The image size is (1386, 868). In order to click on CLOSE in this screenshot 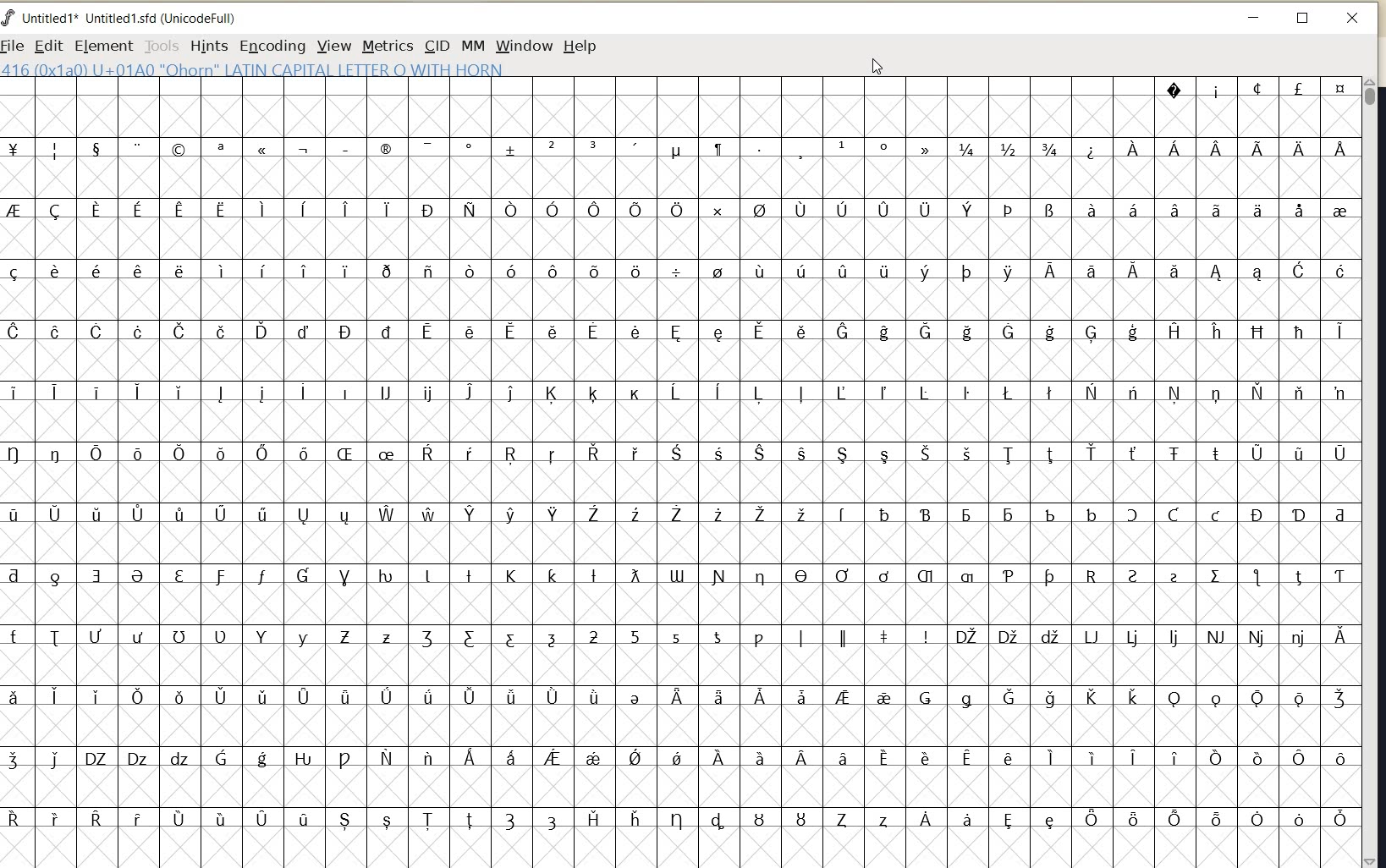, I will do `click(1354, 19)`.